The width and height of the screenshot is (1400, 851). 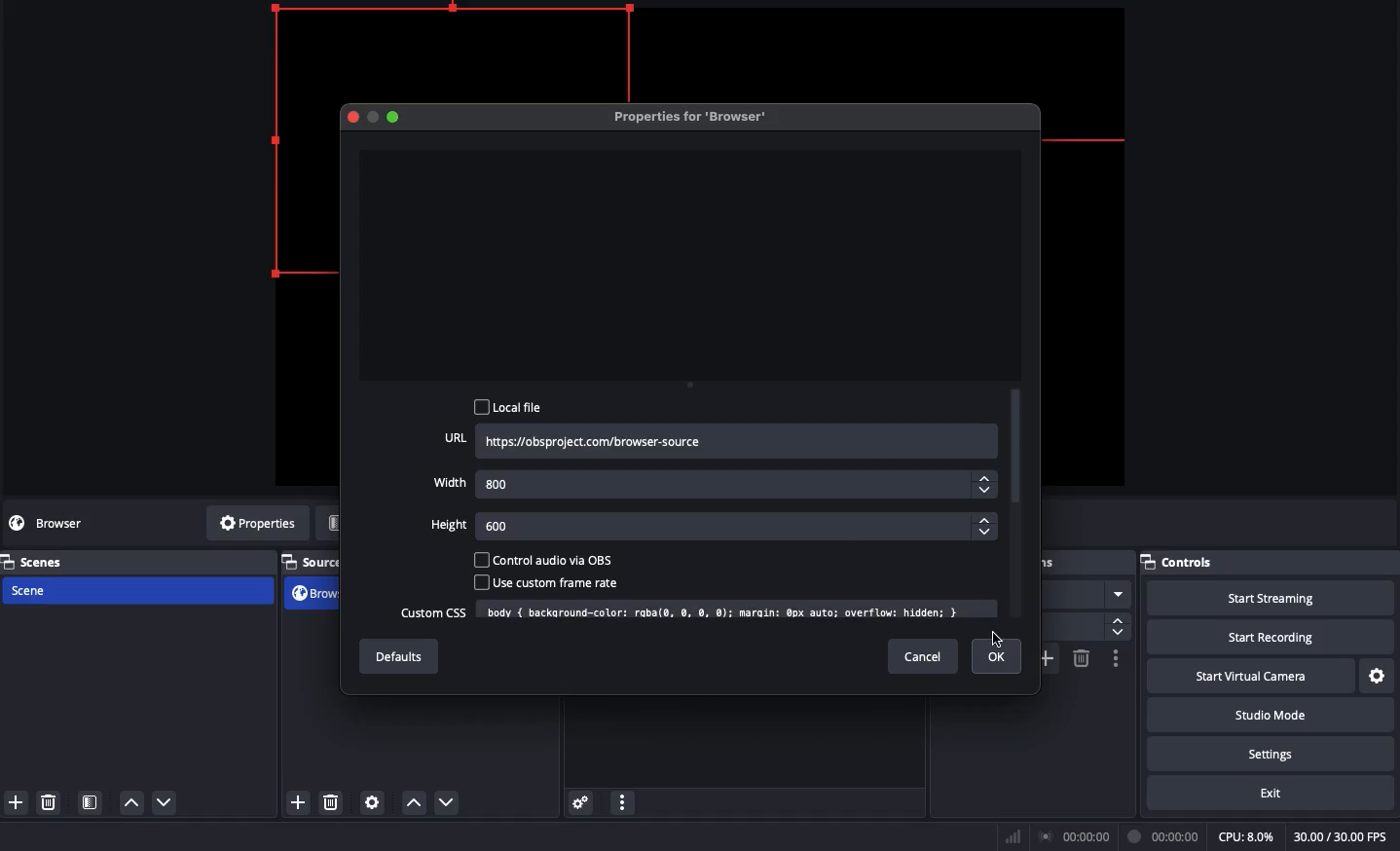 What do you see at coordinates (556, 583) in the screenshot?
I see `User custom frame rate` at bounding box center [556, 583].